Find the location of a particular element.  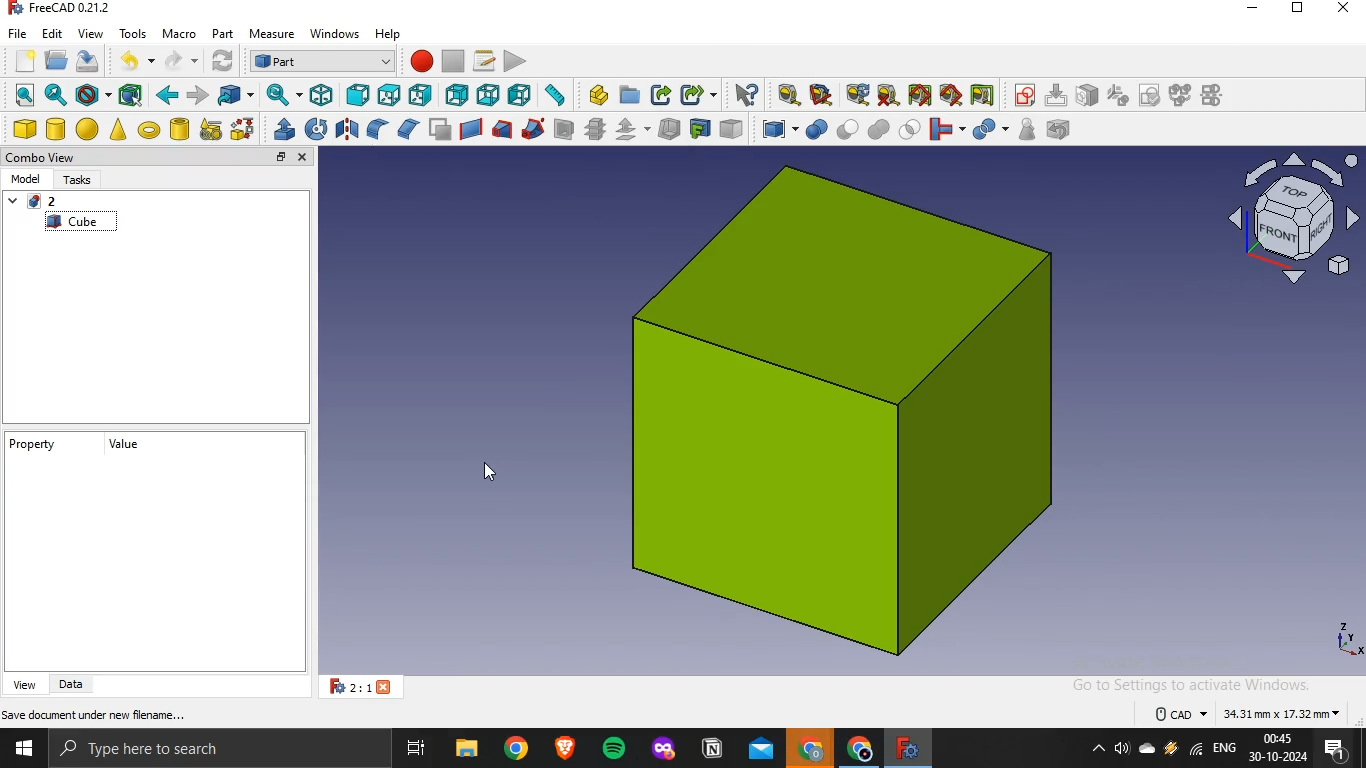

part is located at coordinates (223, 33).